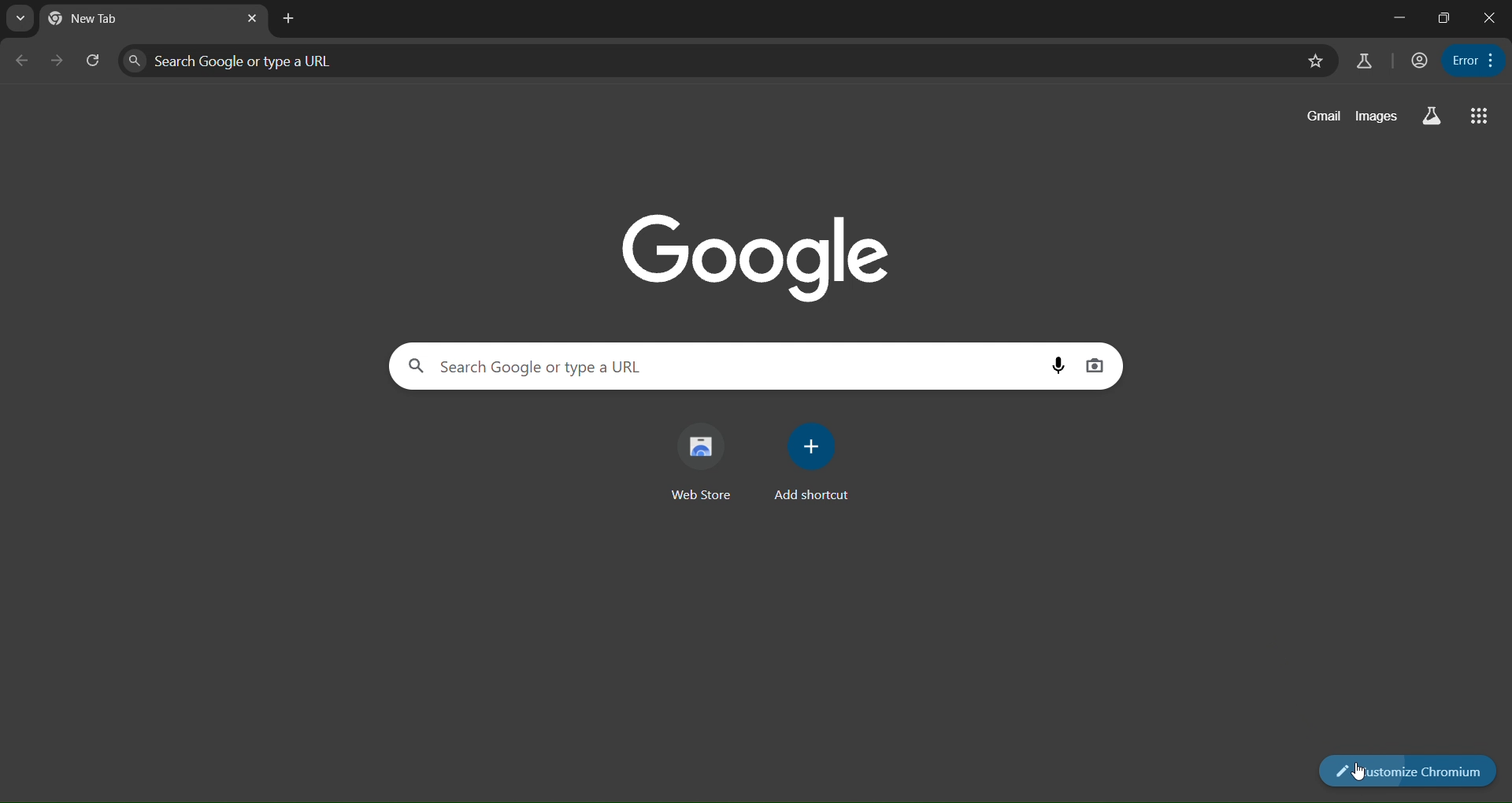  Describe the element at coordinates (60, 62) in the screenshot. I see `go forward one page` at that location.